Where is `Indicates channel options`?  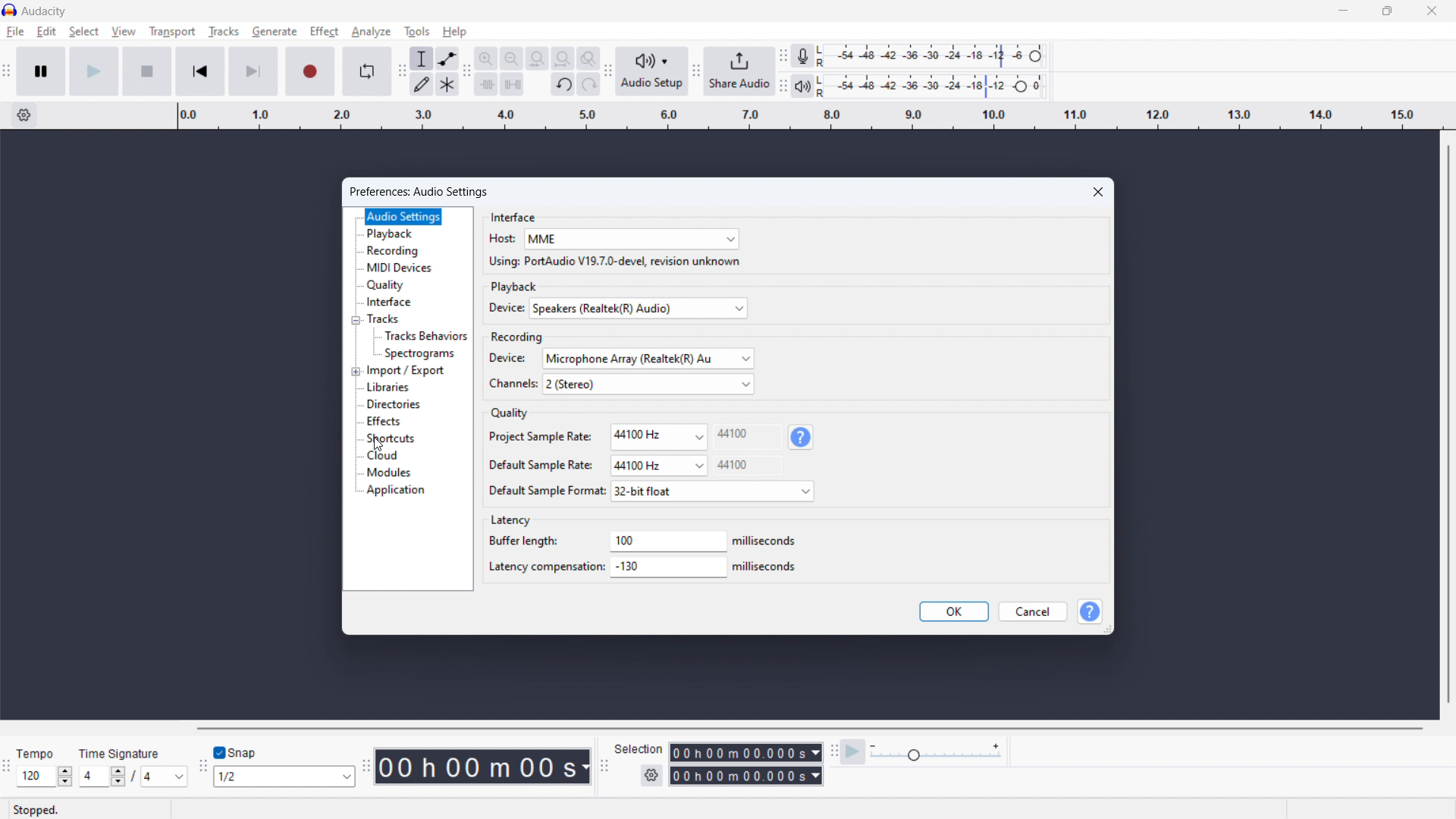 Indicates channel options is located at coordinates (513, 384).